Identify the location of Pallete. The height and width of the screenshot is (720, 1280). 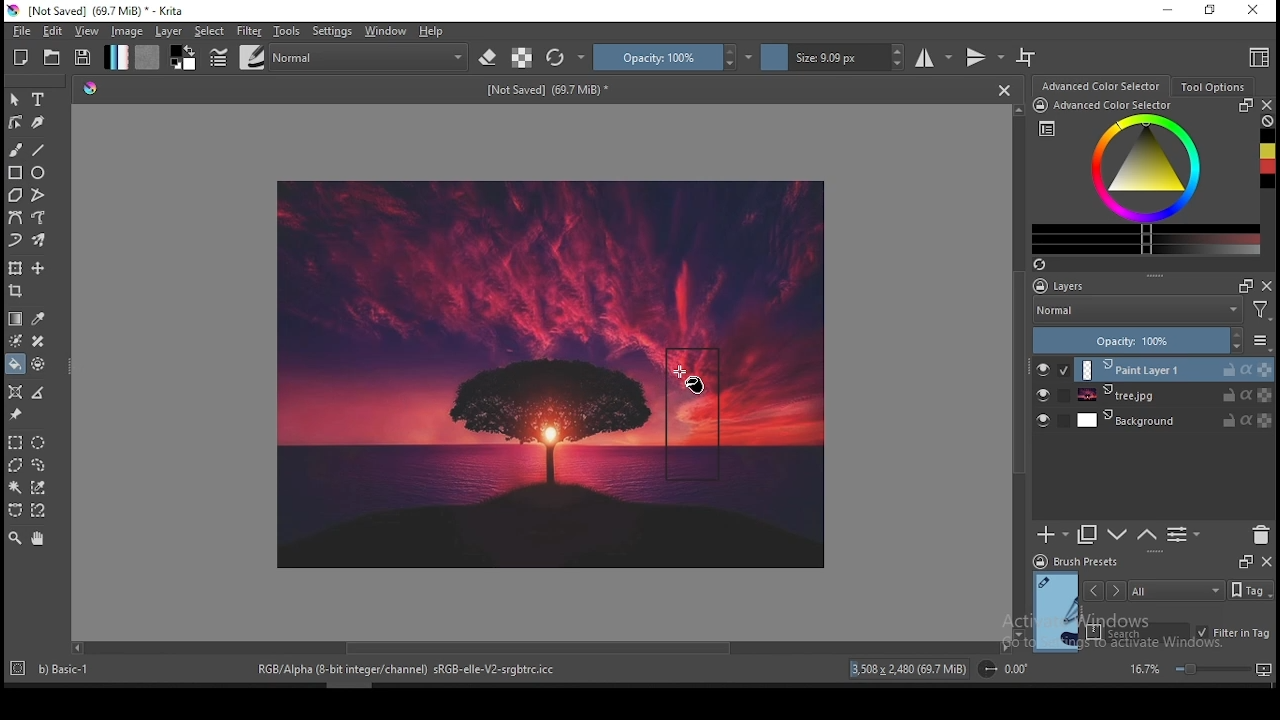
(91, 90).